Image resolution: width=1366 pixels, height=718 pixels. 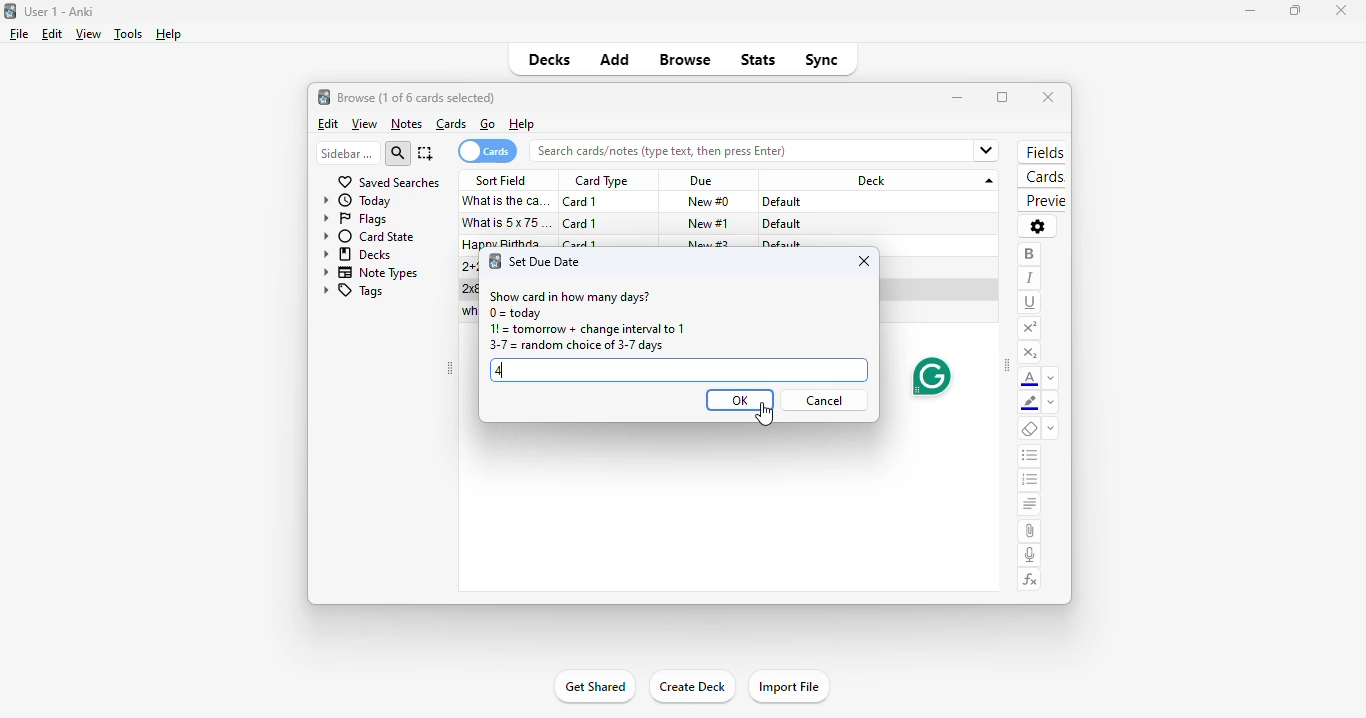 I want to click on default, so click(x=783, y=202).